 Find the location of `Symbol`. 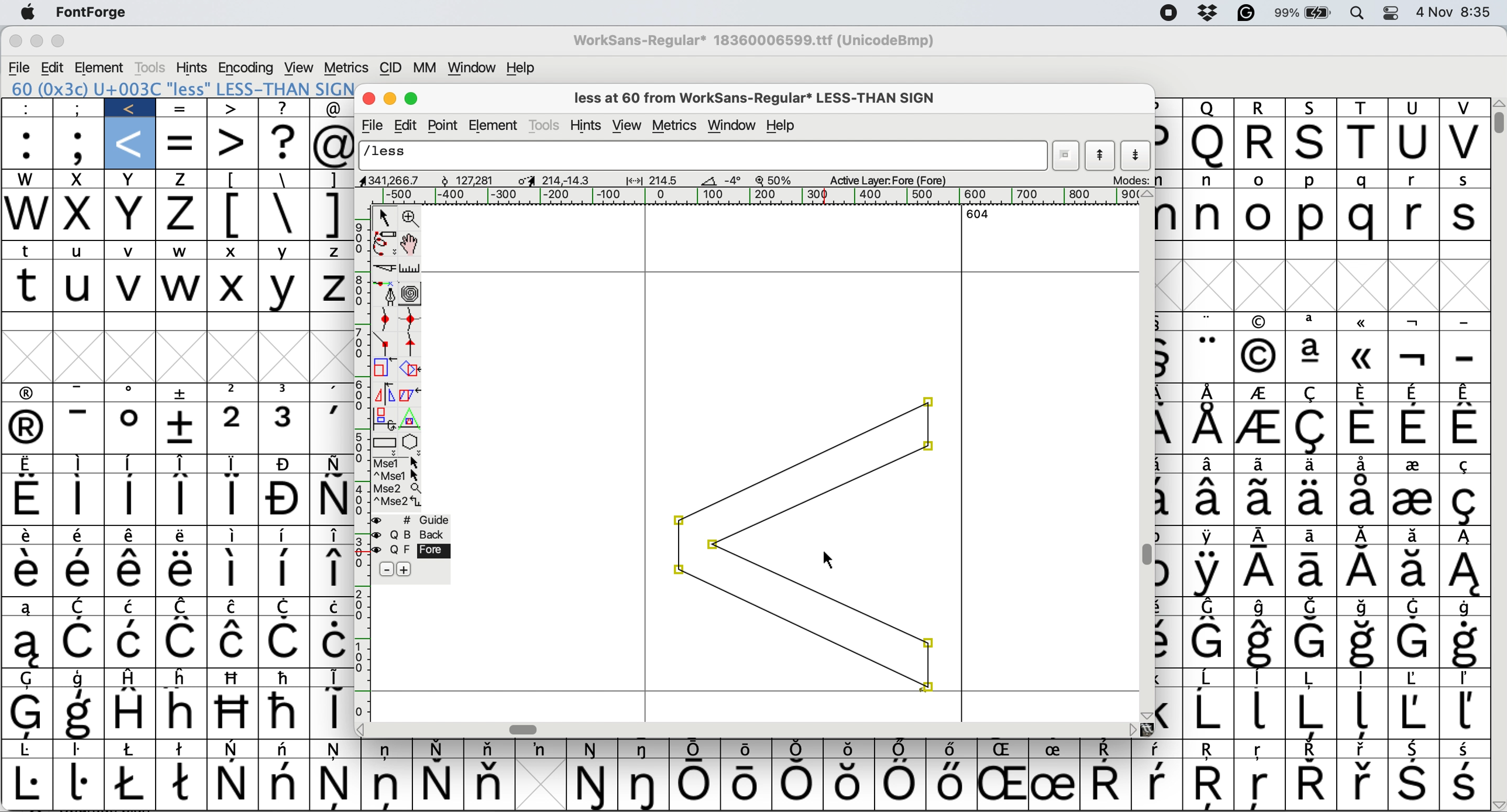

Symbol is located at coordinates (747, 749).